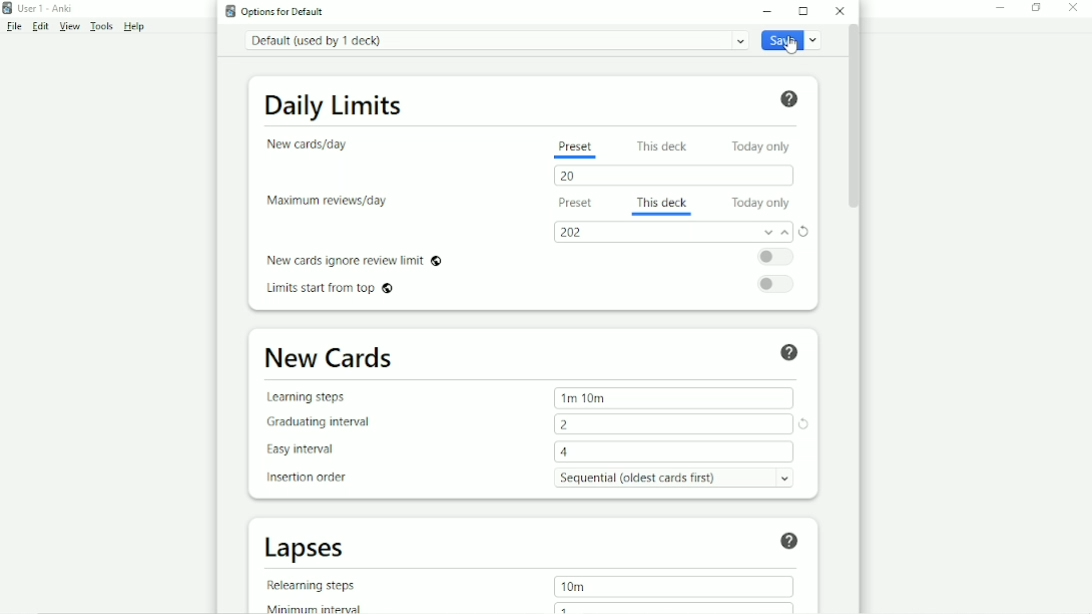 This screenshot has height=614, width=1092. Describe the element at coordinates (781, 283) in the screenshot. I see `Toggle on/off` at that location.